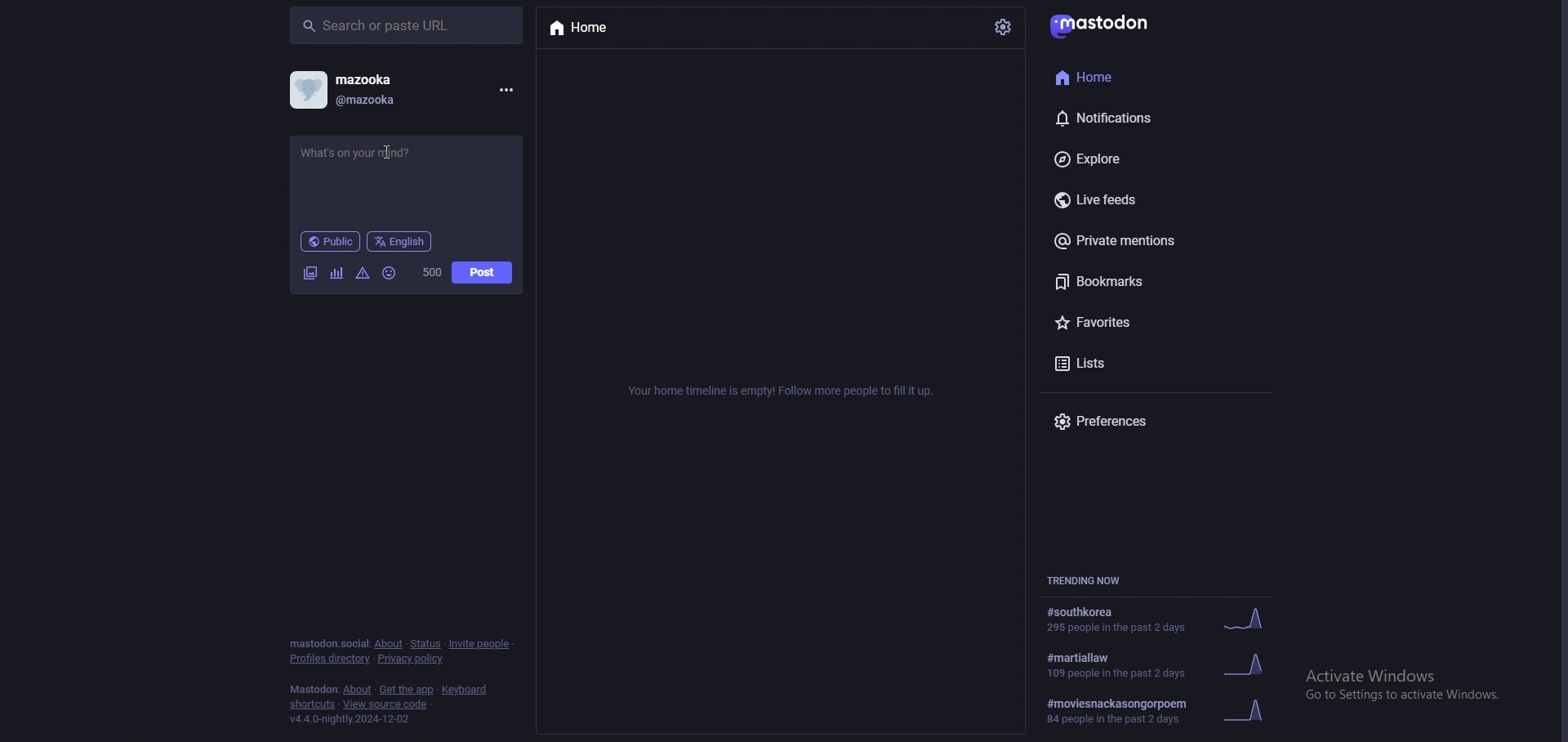 This screenshot has height=742, width=1568. What do you see at coordinates (409, 689) in the screenshot?
I see `get the app` at bounding box center [409, 689].